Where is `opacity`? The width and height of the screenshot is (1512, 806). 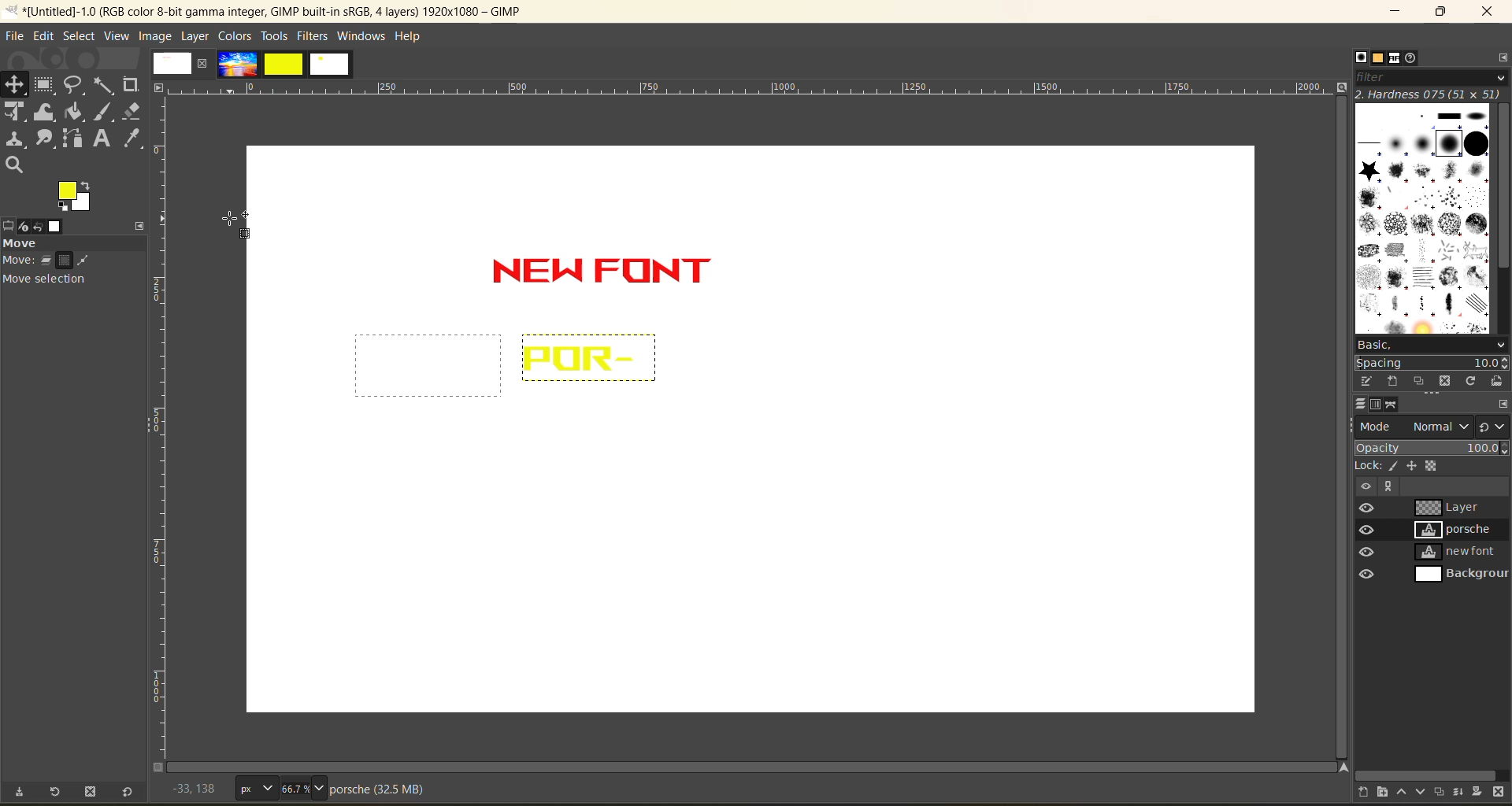
opacity is located at coordinates (1430, 447).